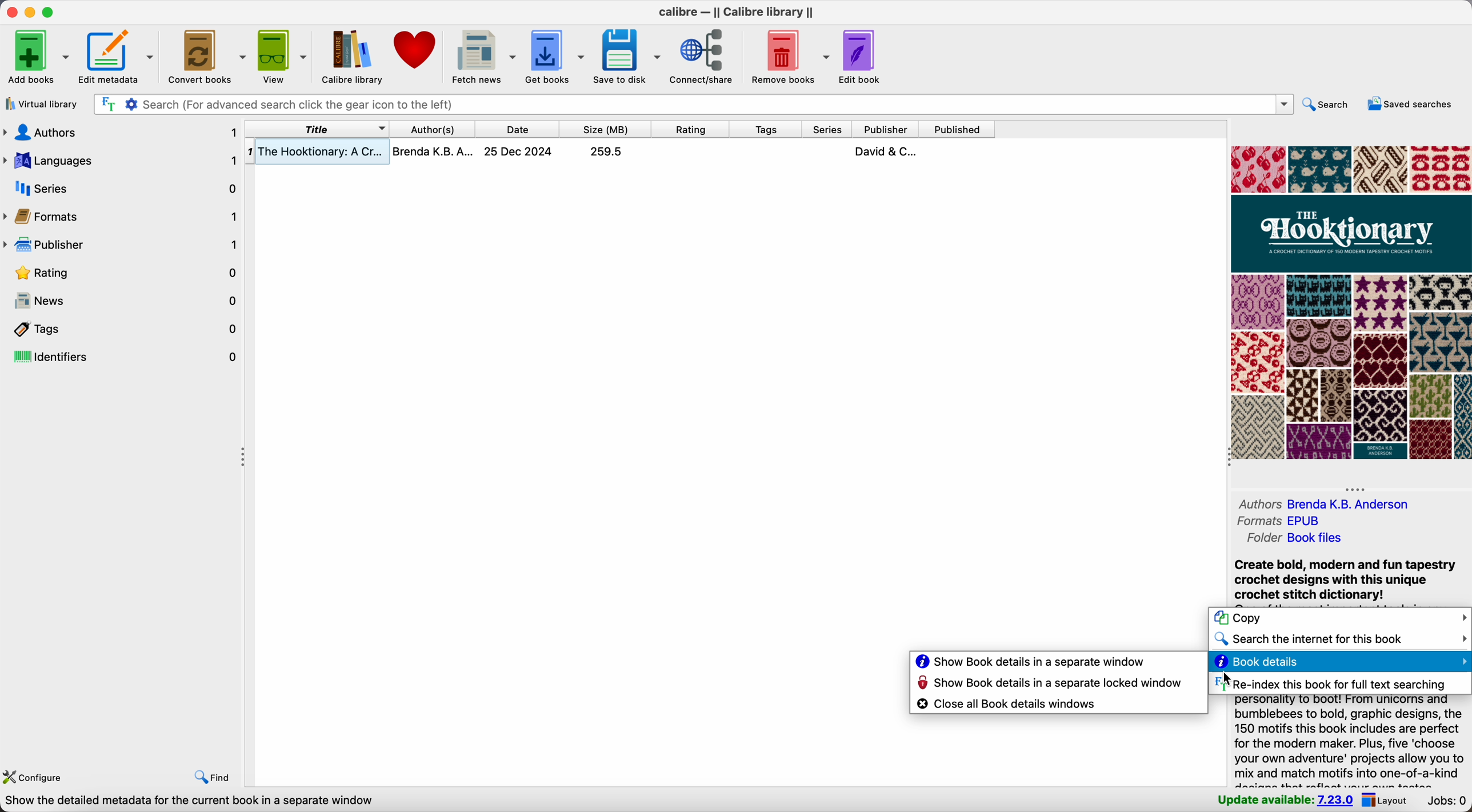  I want to click on authors, so click(1334, 505).